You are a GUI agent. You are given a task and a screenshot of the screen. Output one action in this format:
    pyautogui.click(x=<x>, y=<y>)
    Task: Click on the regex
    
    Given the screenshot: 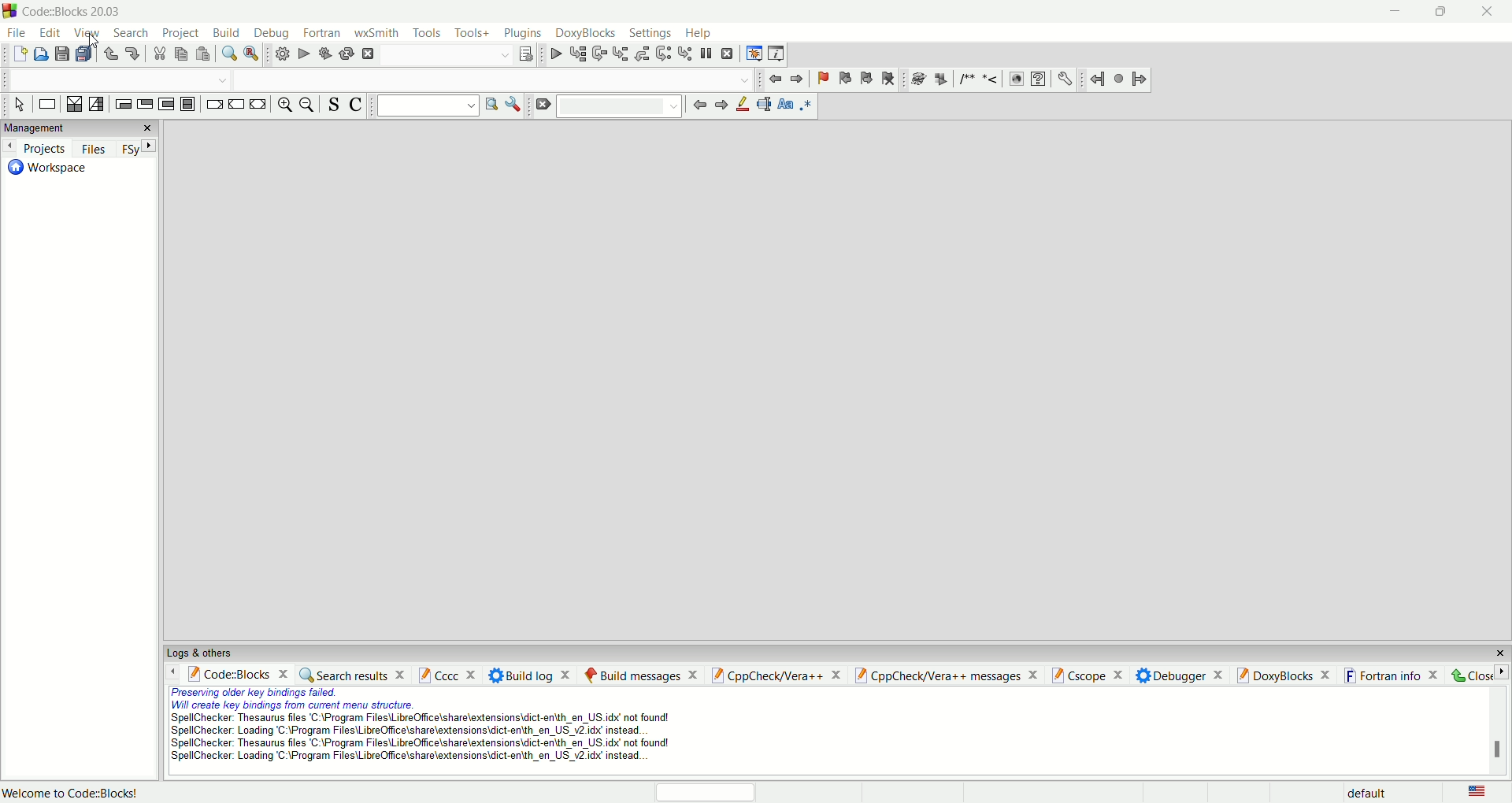 What is the action you would take?
    pyautogui.click(x=806, y=106)
    